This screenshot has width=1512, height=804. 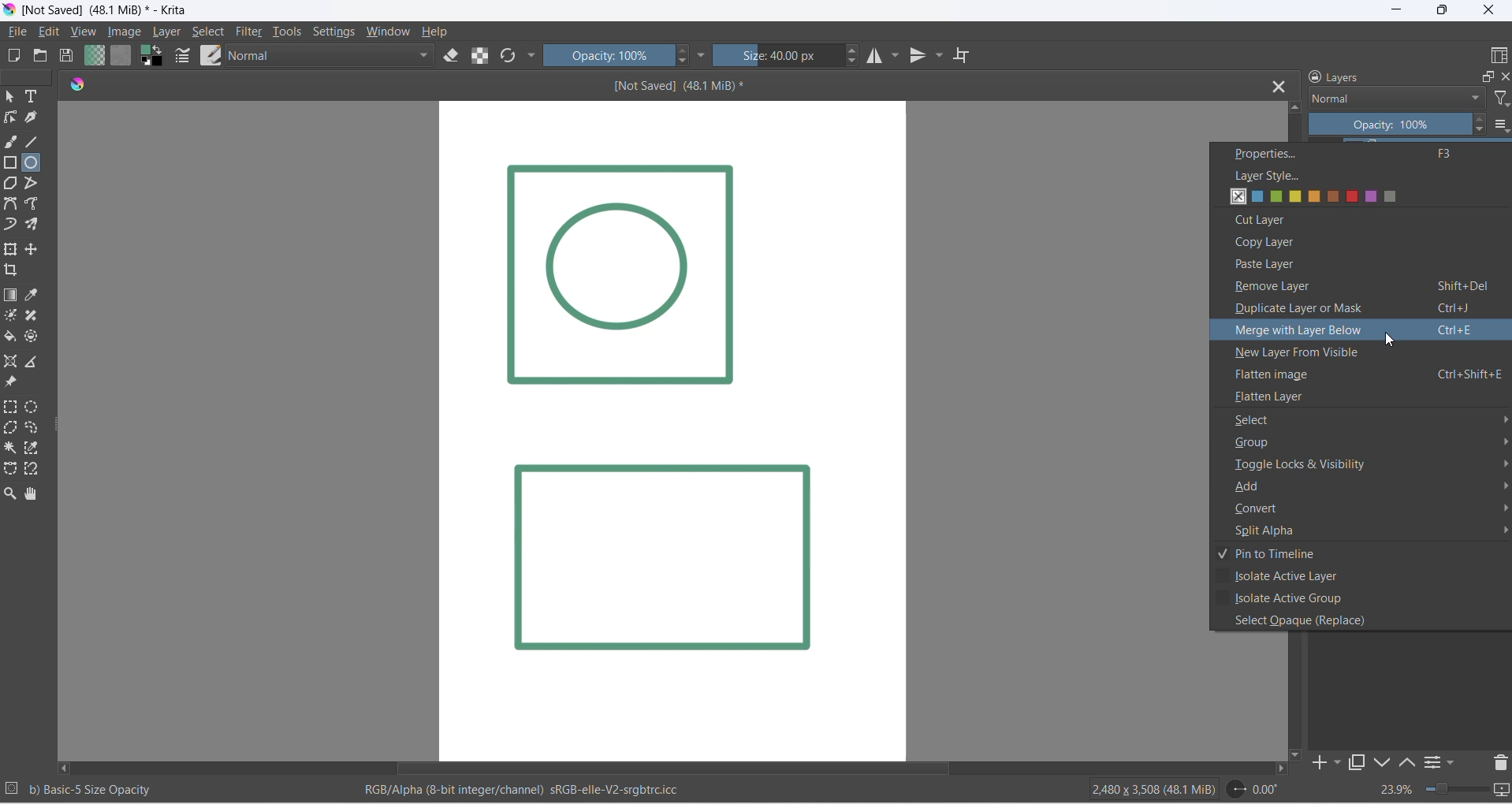 I want to click on zoom, so click(x=1458, y=787).